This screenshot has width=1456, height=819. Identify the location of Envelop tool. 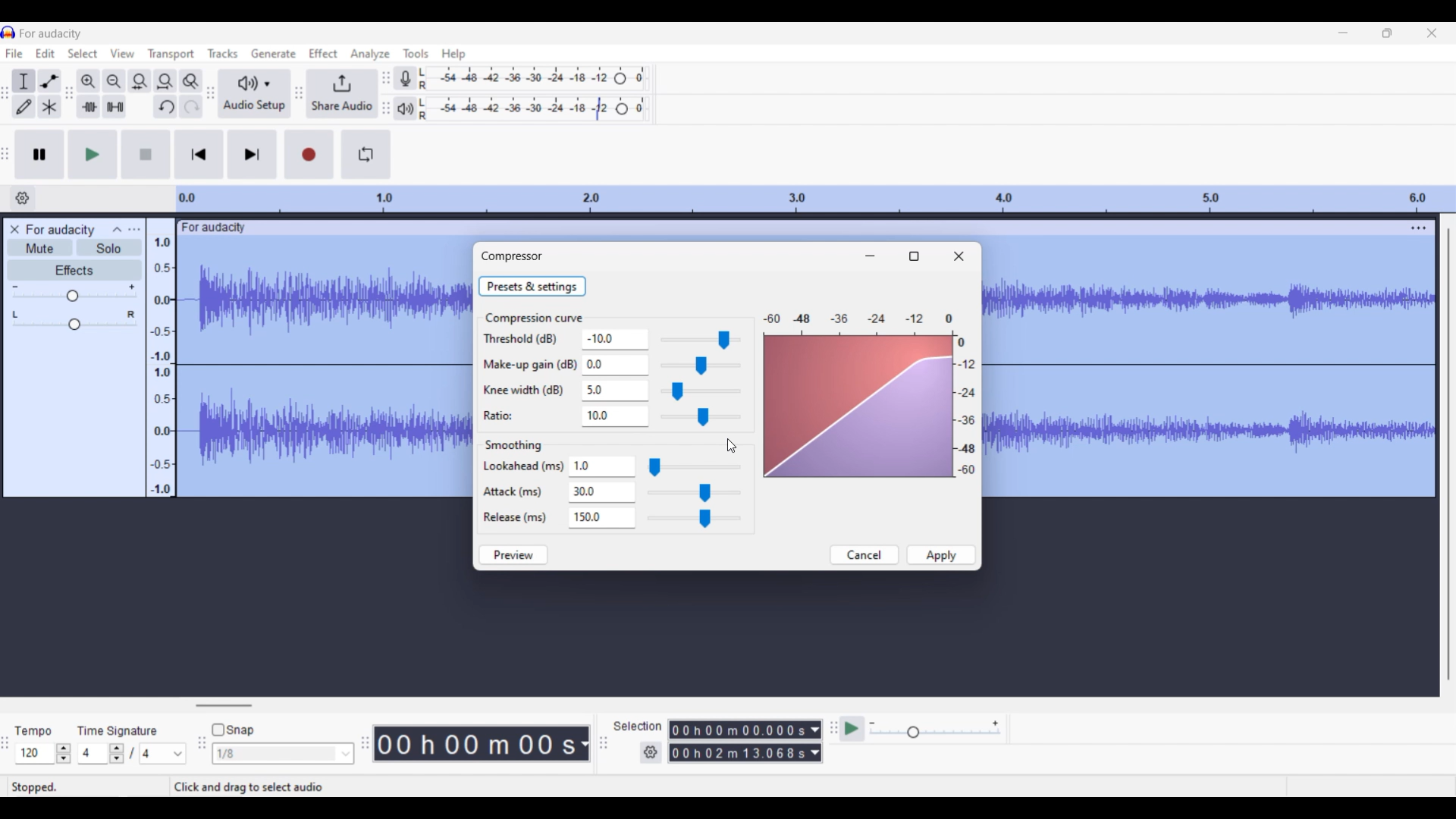
(50, 81).